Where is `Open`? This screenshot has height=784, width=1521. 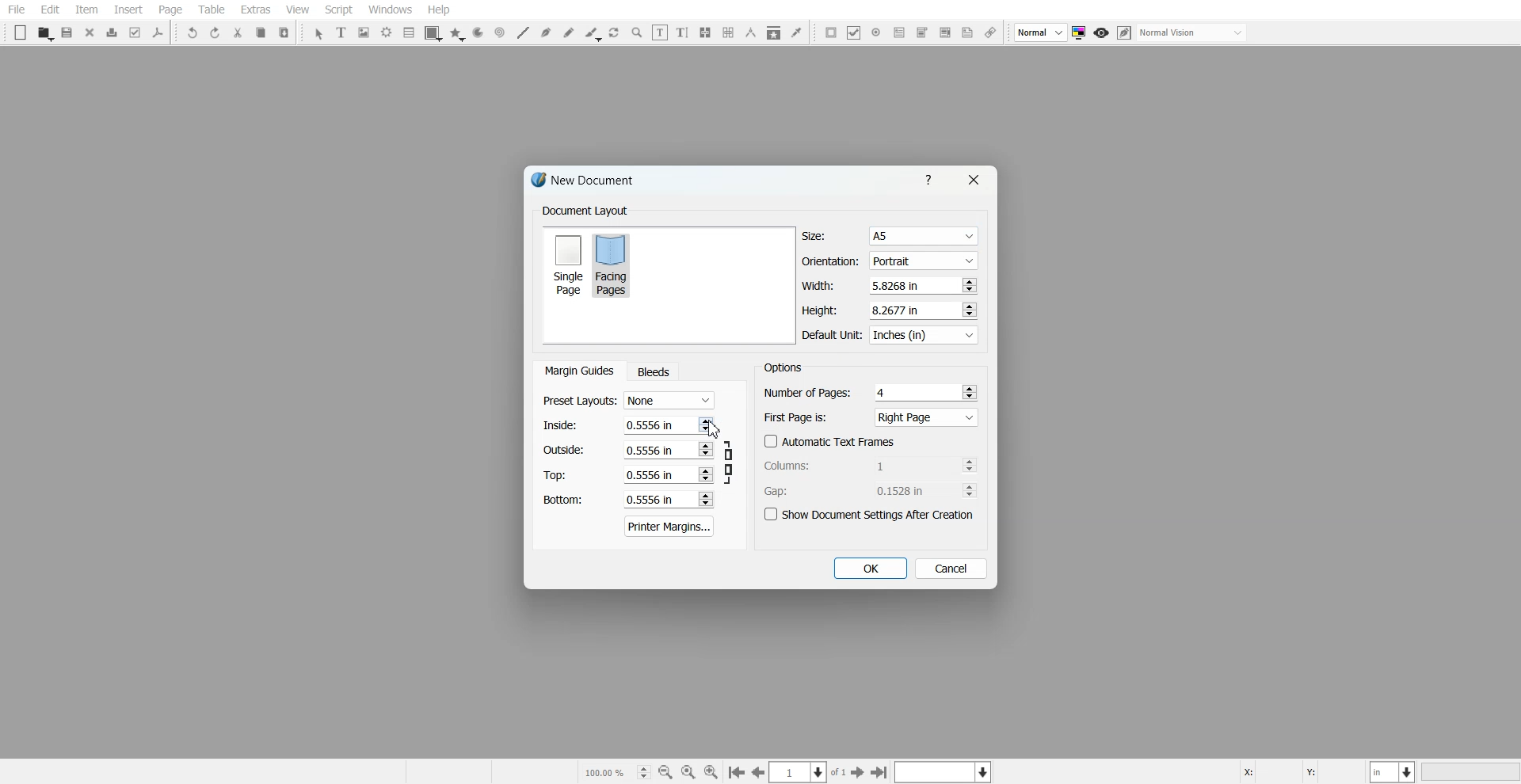
Open is located at coordinates (44, 33).